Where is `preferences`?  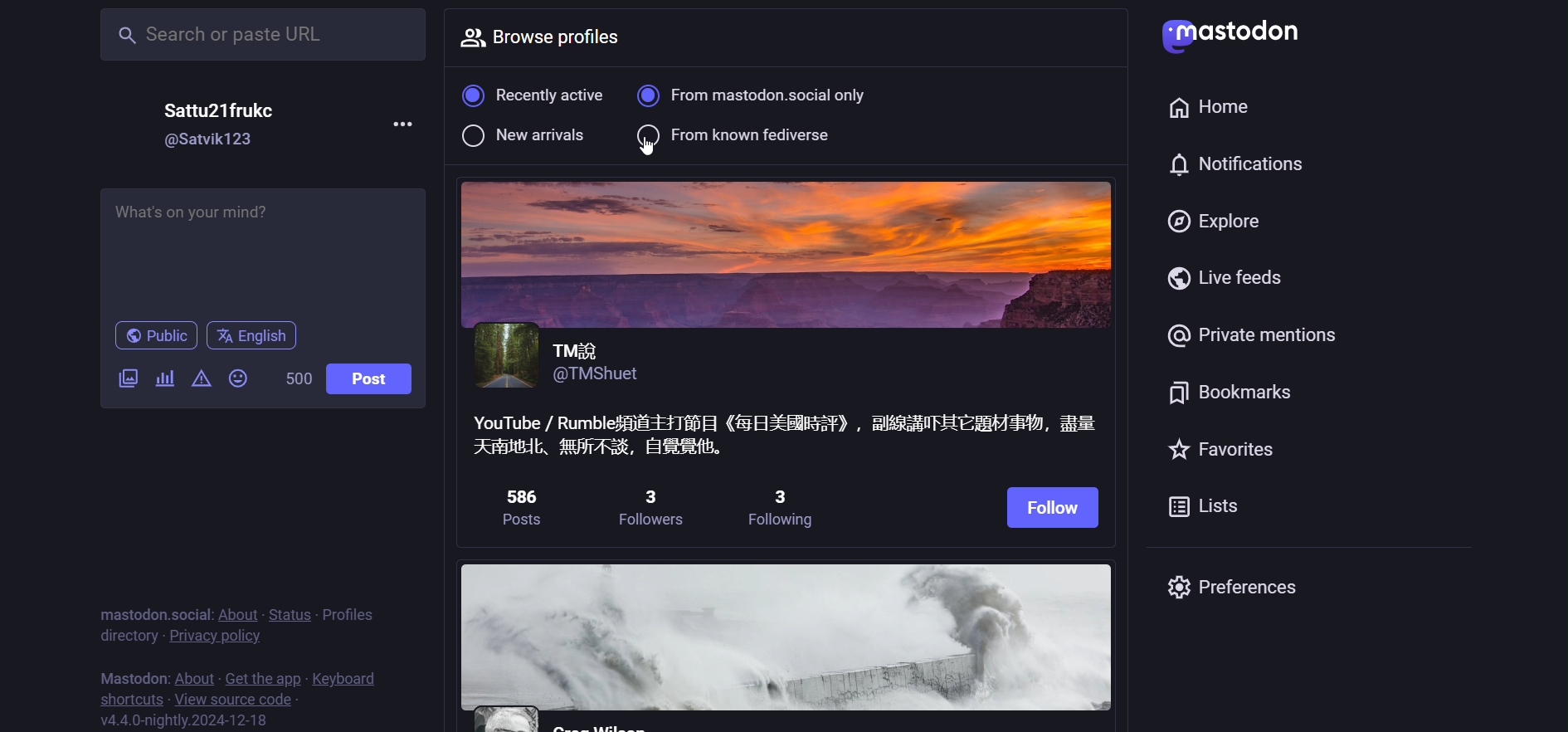 preferences is located at coordinates (1245, 585).